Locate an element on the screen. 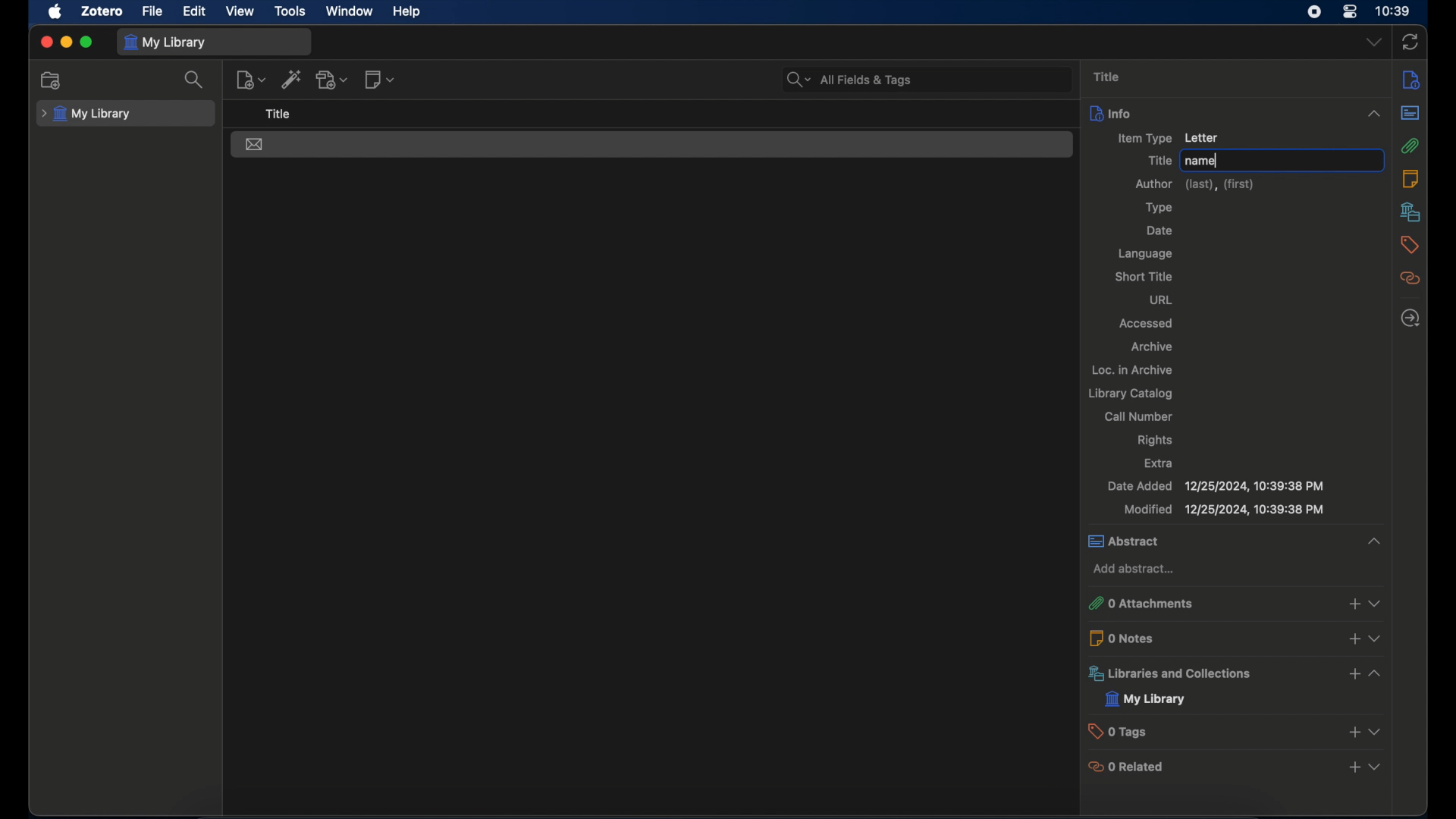  view more is located at coordinates (1375, 731).